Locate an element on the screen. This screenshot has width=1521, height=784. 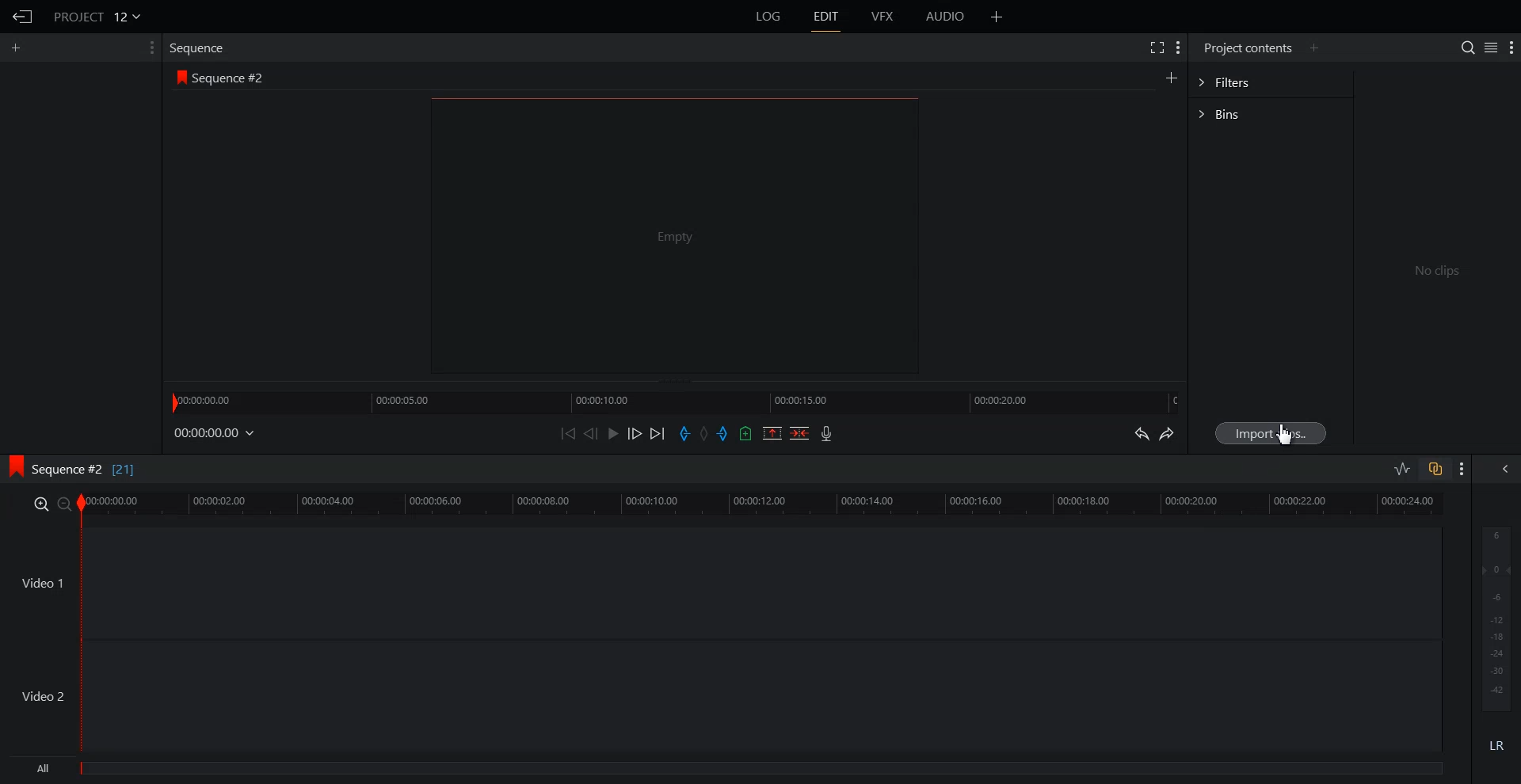
Create Sequence is located at coordinates (1170, 78).